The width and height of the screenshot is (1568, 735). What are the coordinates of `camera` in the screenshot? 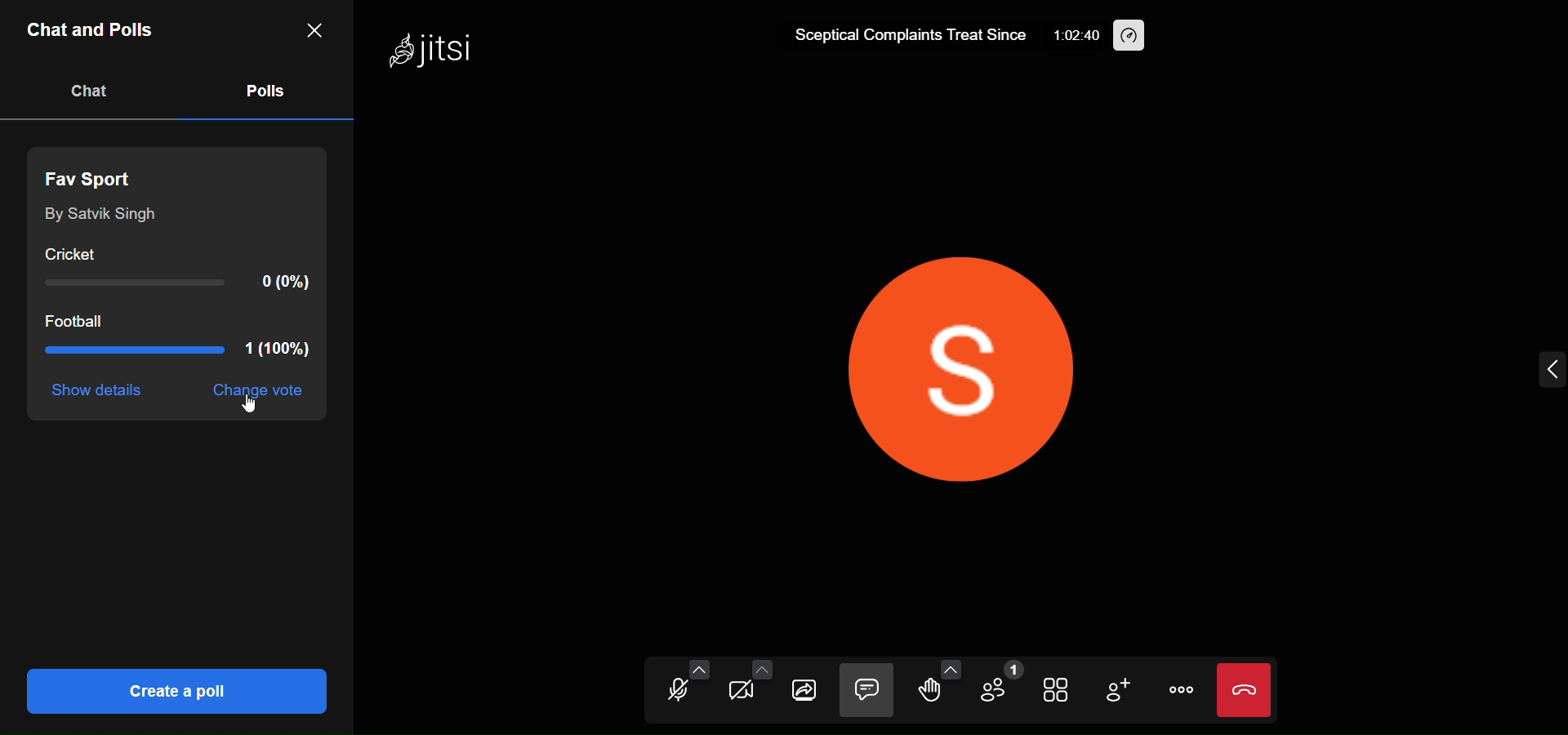 It's located at (736, 693).